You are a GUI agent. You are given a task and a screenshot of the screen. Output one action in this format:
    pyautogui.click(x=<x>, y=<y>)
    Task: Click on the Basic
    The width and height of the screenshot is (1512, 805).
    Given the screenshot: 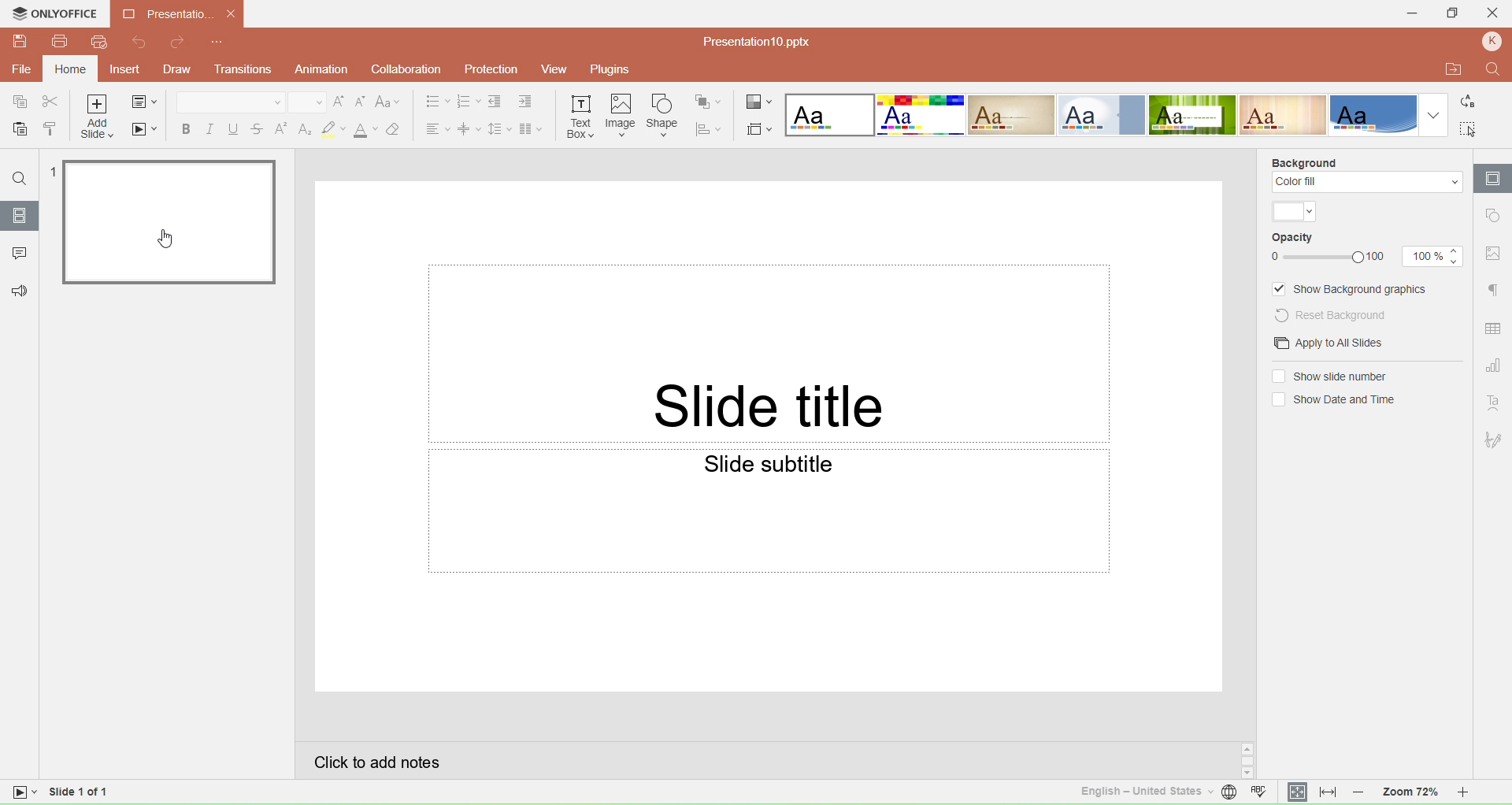 What is the action you would take?
    pyautogui.click(x=921, y=115)
    